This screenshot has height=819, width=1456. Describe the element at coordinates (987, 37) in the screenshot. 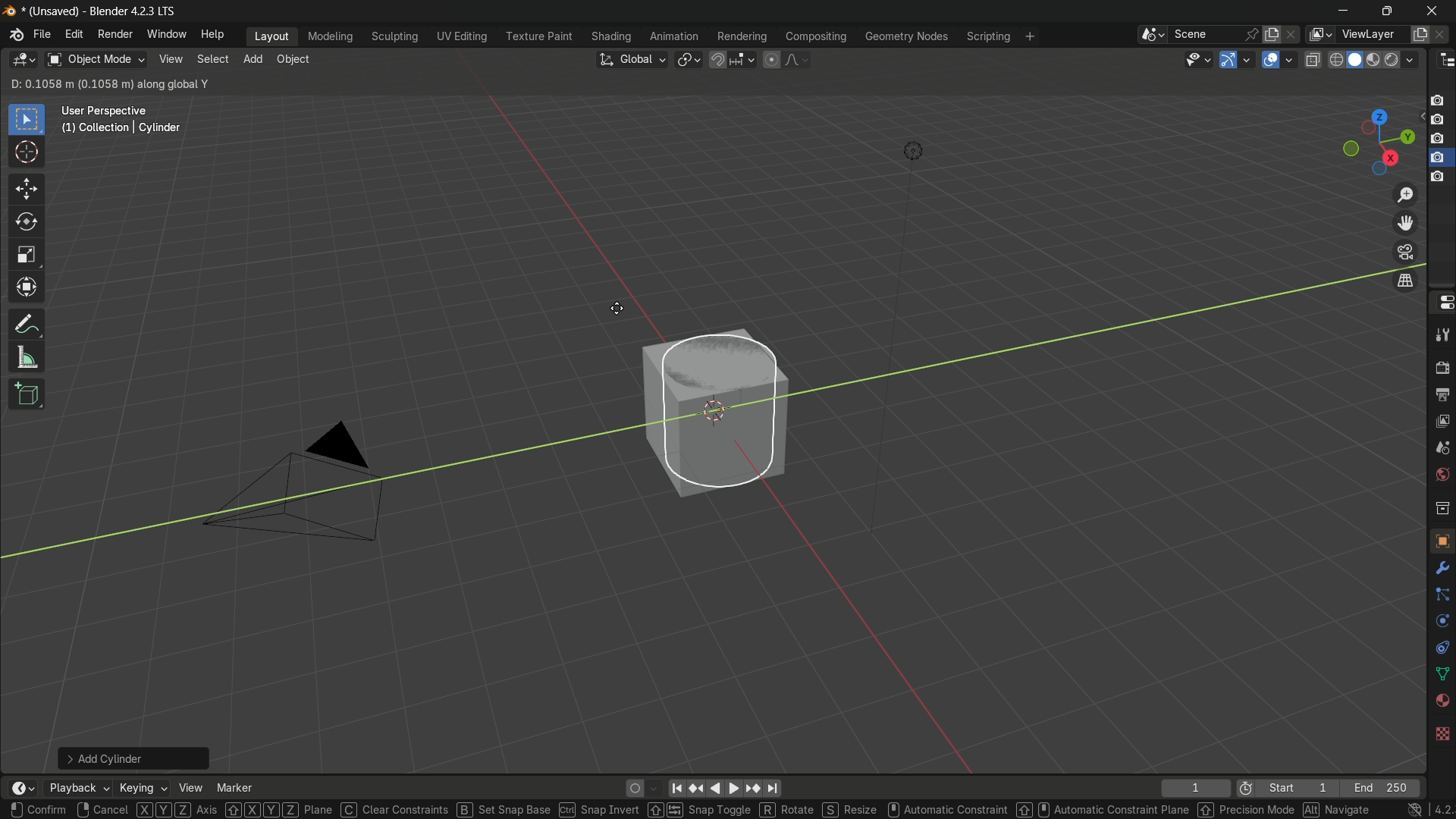

I see `scripting menu` at that location.